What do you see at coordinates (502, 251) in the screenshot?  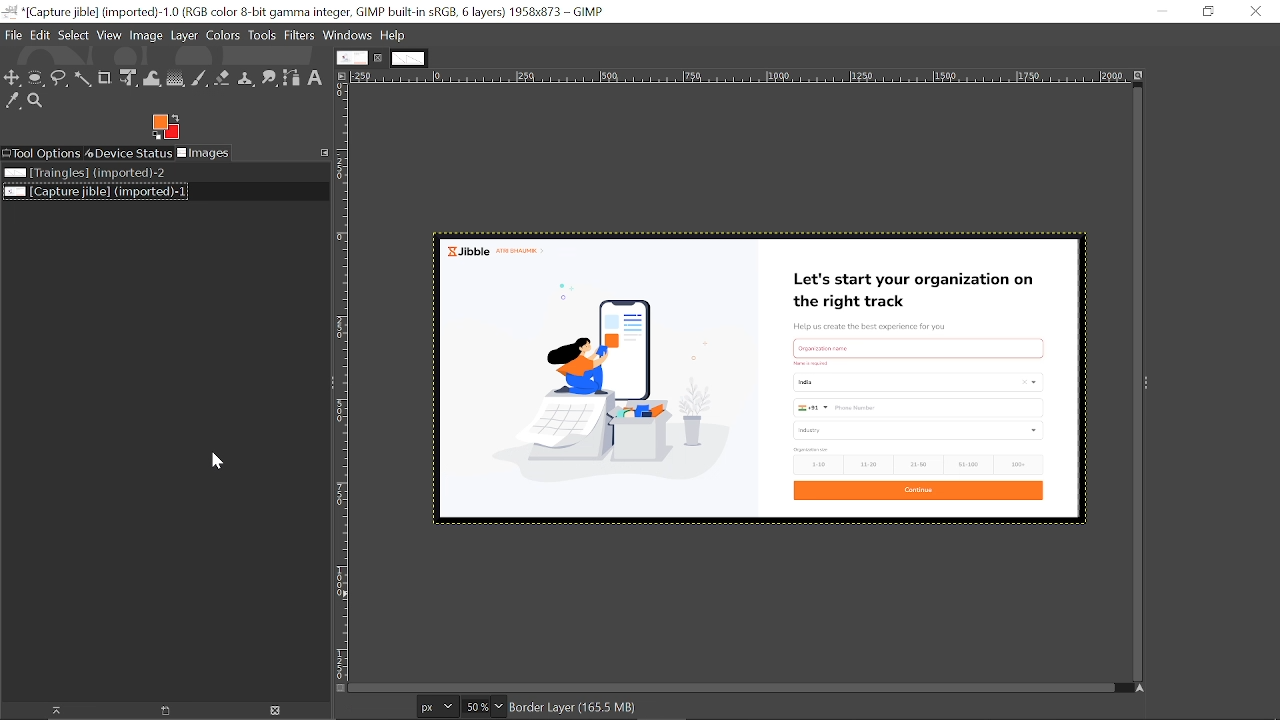 I see `Jibble` at bounding box center [502, 251].